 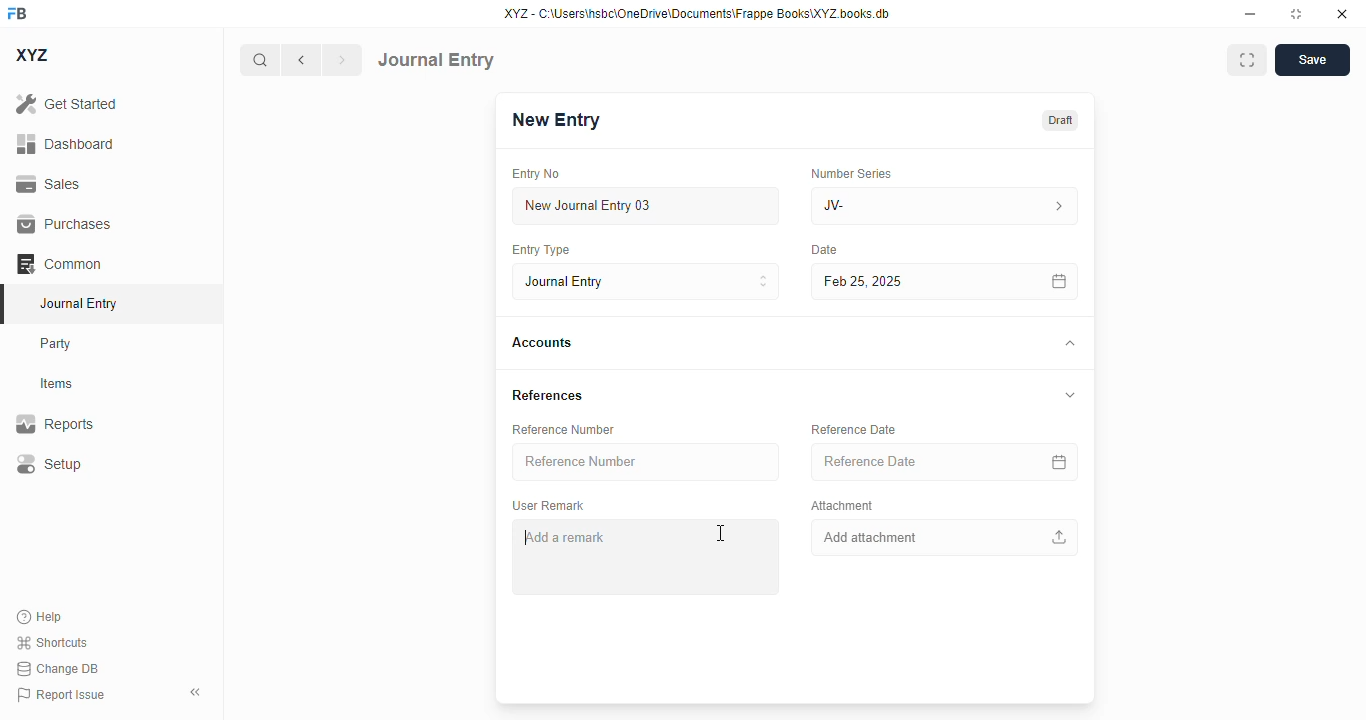 What do you see at coordinates (33, 55) in the screenshot?
I see `XYZ` at bounding box center [33, 55].